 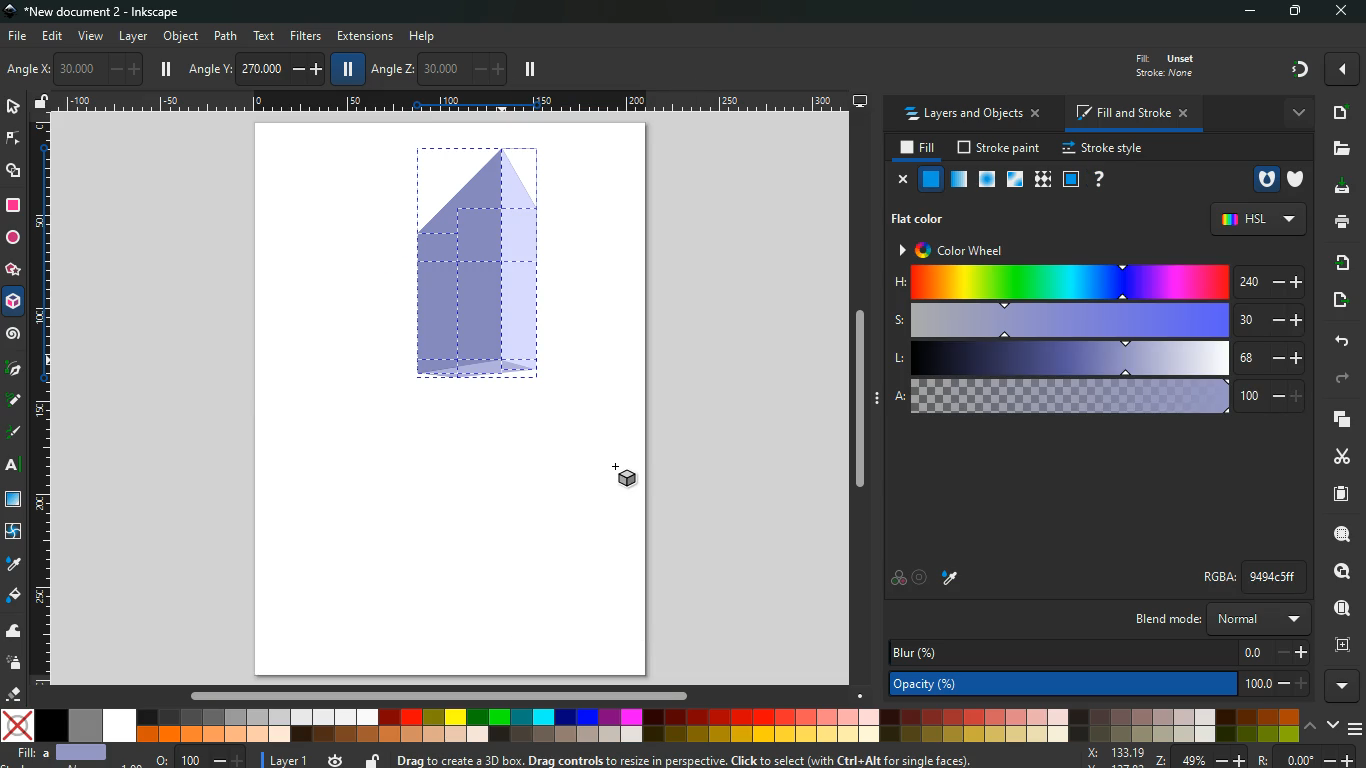 What do you see at coordinates (1357, 729) in the screenshot?
I see `menu` at bounding box center [1357, 729].